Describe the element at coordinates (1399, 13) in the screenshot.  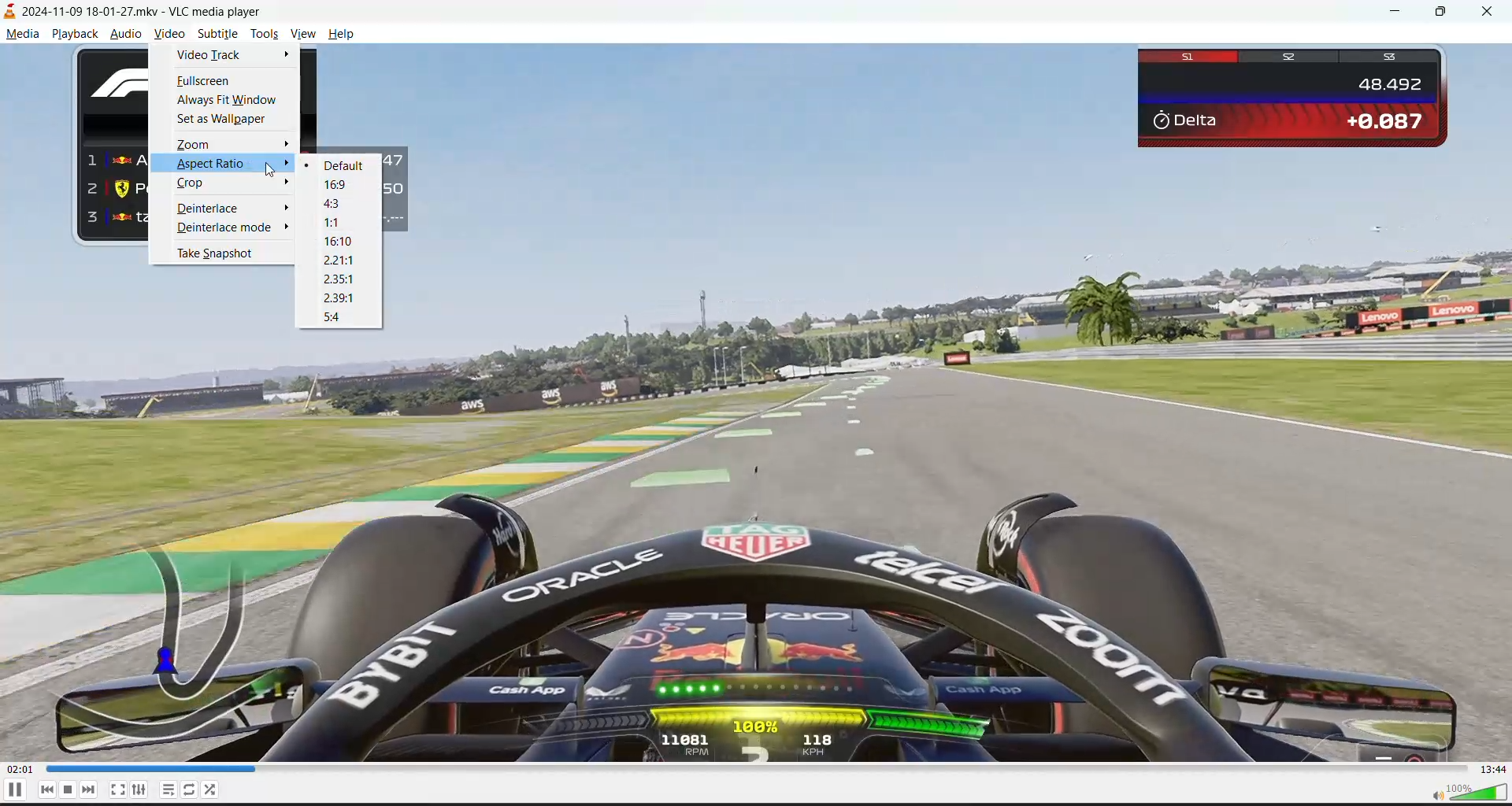
I see `minimize` at that location.